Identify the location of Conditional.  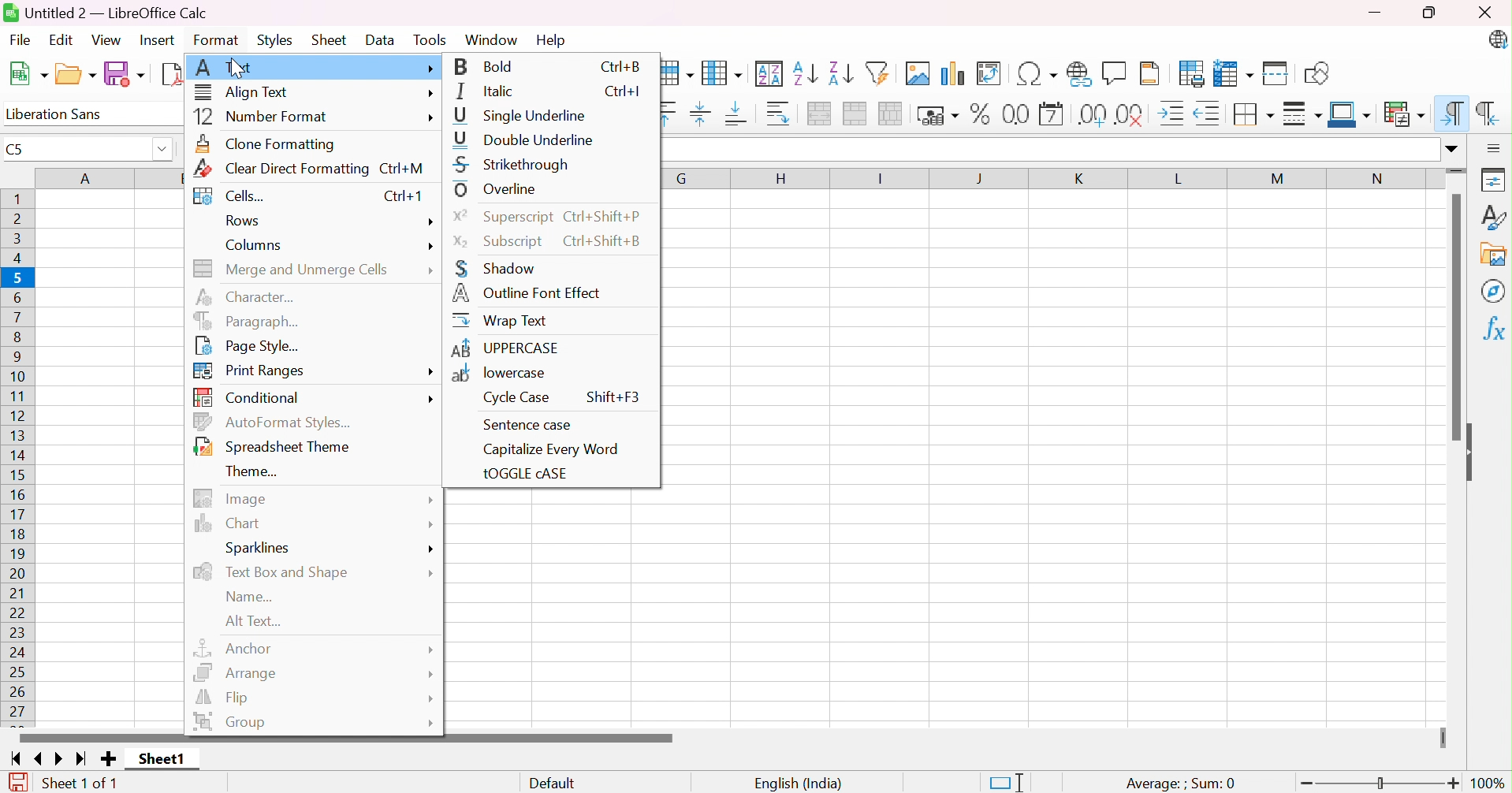
(246, 396).